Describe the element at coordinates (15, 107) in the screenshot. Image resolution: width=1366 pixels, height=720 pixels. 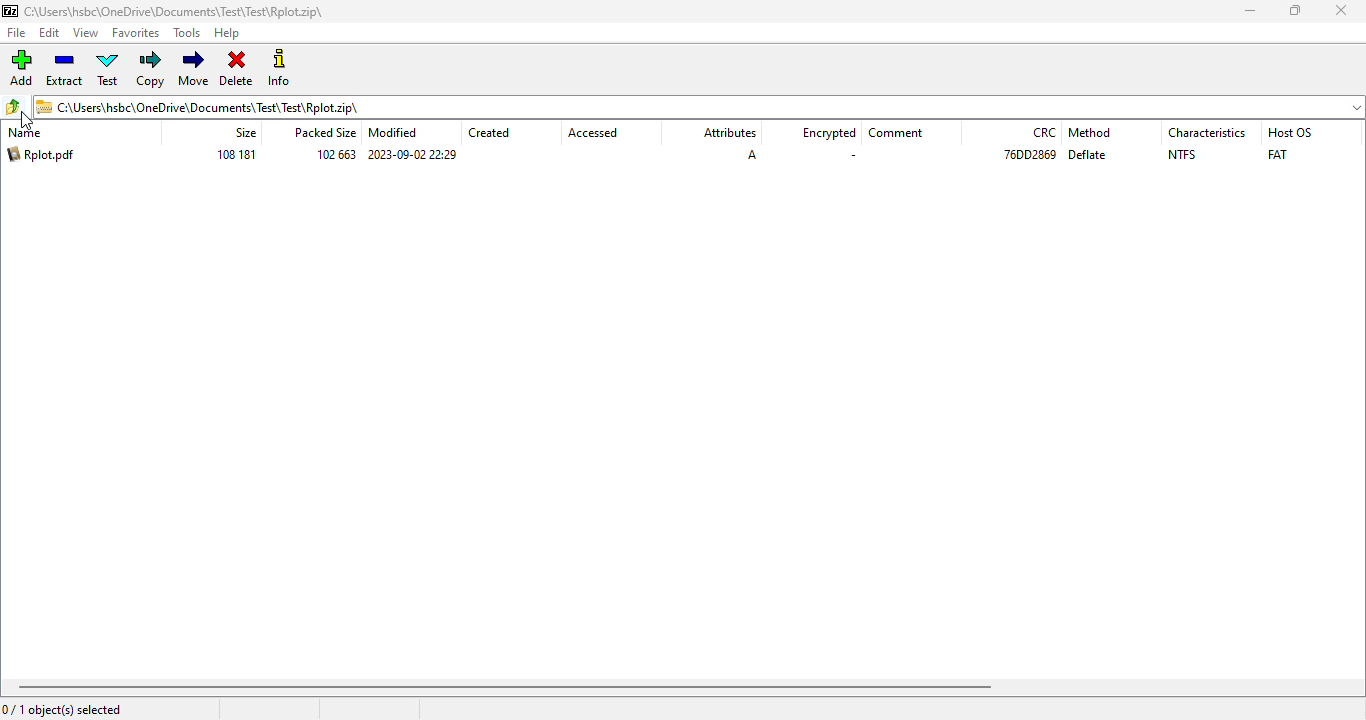
I see `browse folders` at that location.